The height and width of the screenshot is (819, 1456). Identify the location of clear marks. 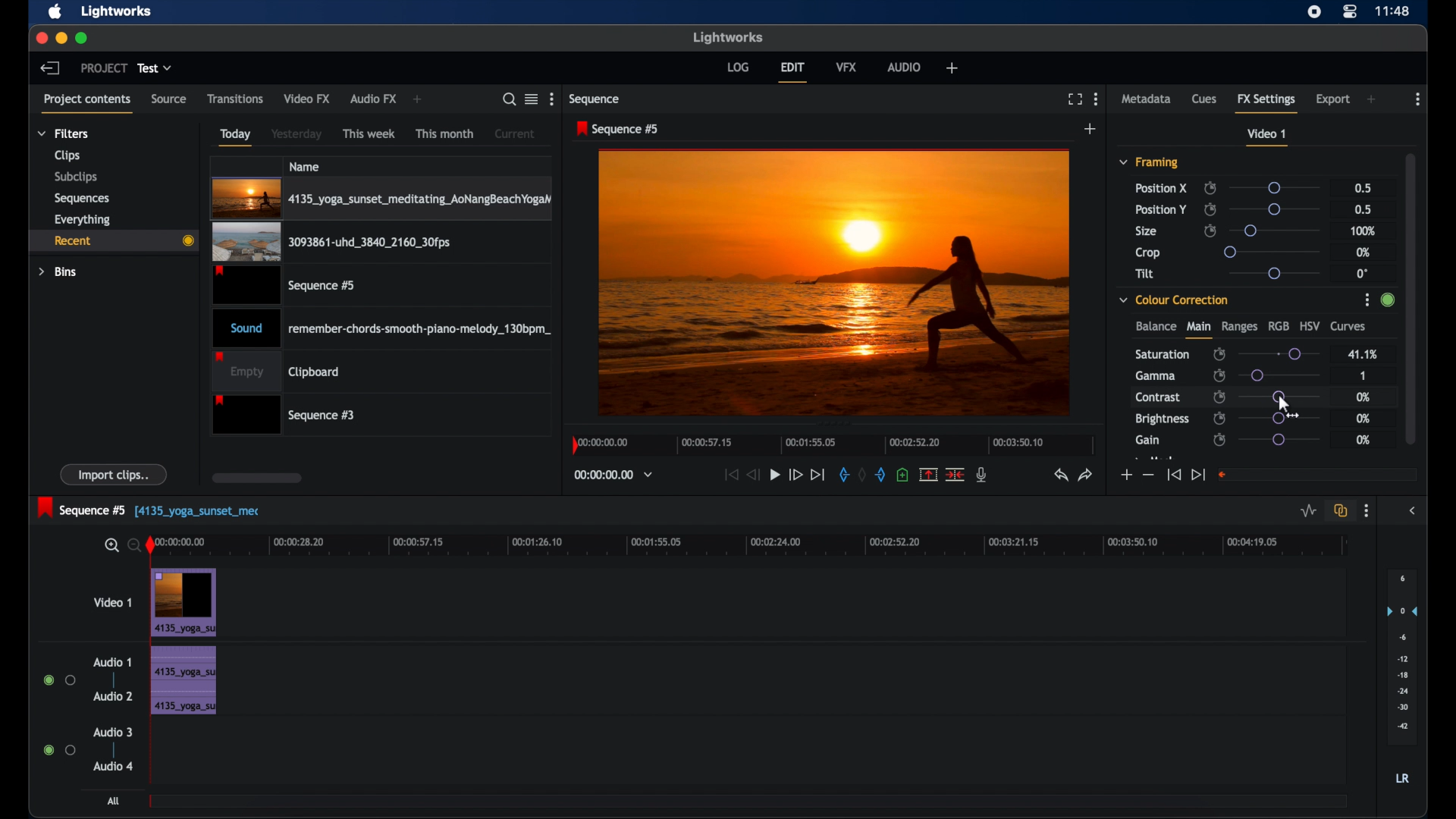
(863, 475).